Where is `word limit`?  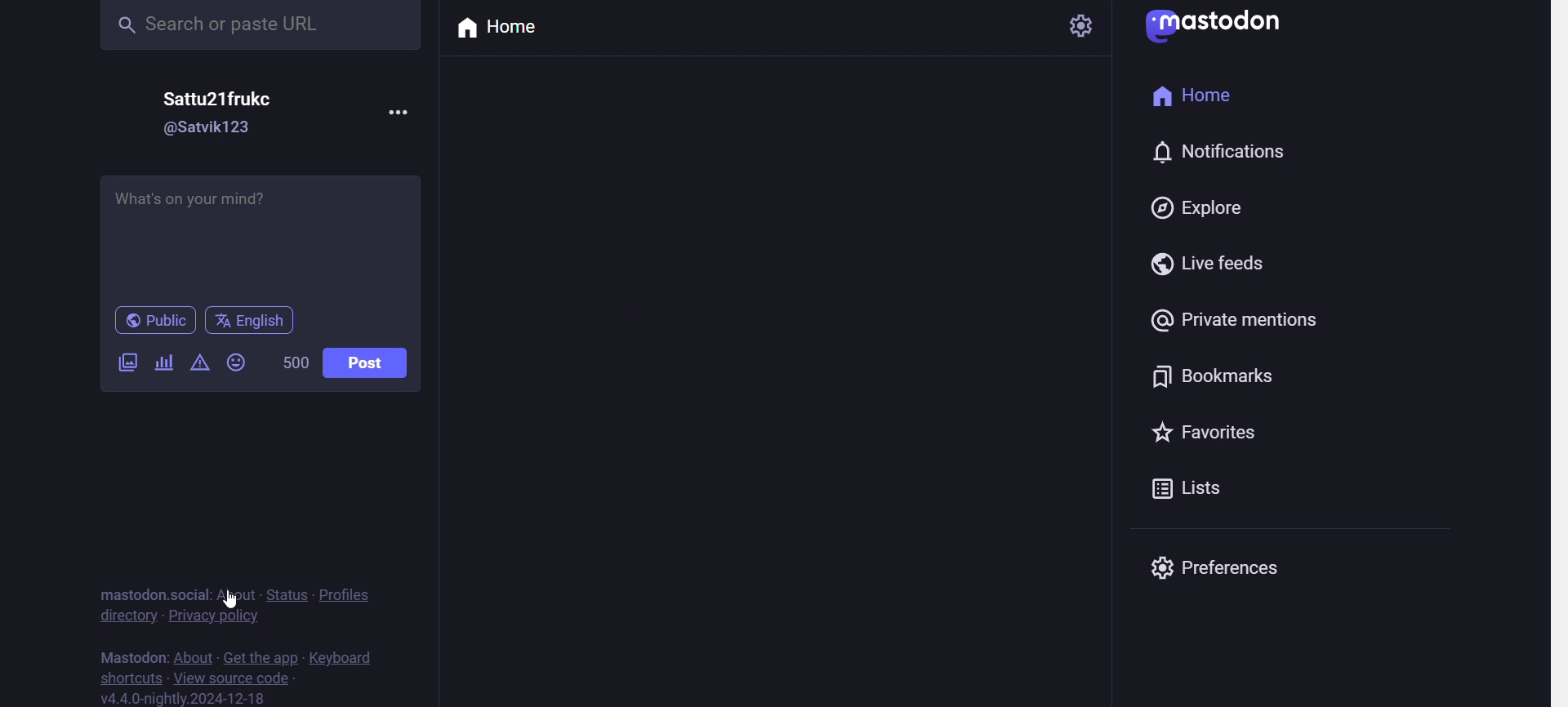 word limit is located at coordinates (290, 363).